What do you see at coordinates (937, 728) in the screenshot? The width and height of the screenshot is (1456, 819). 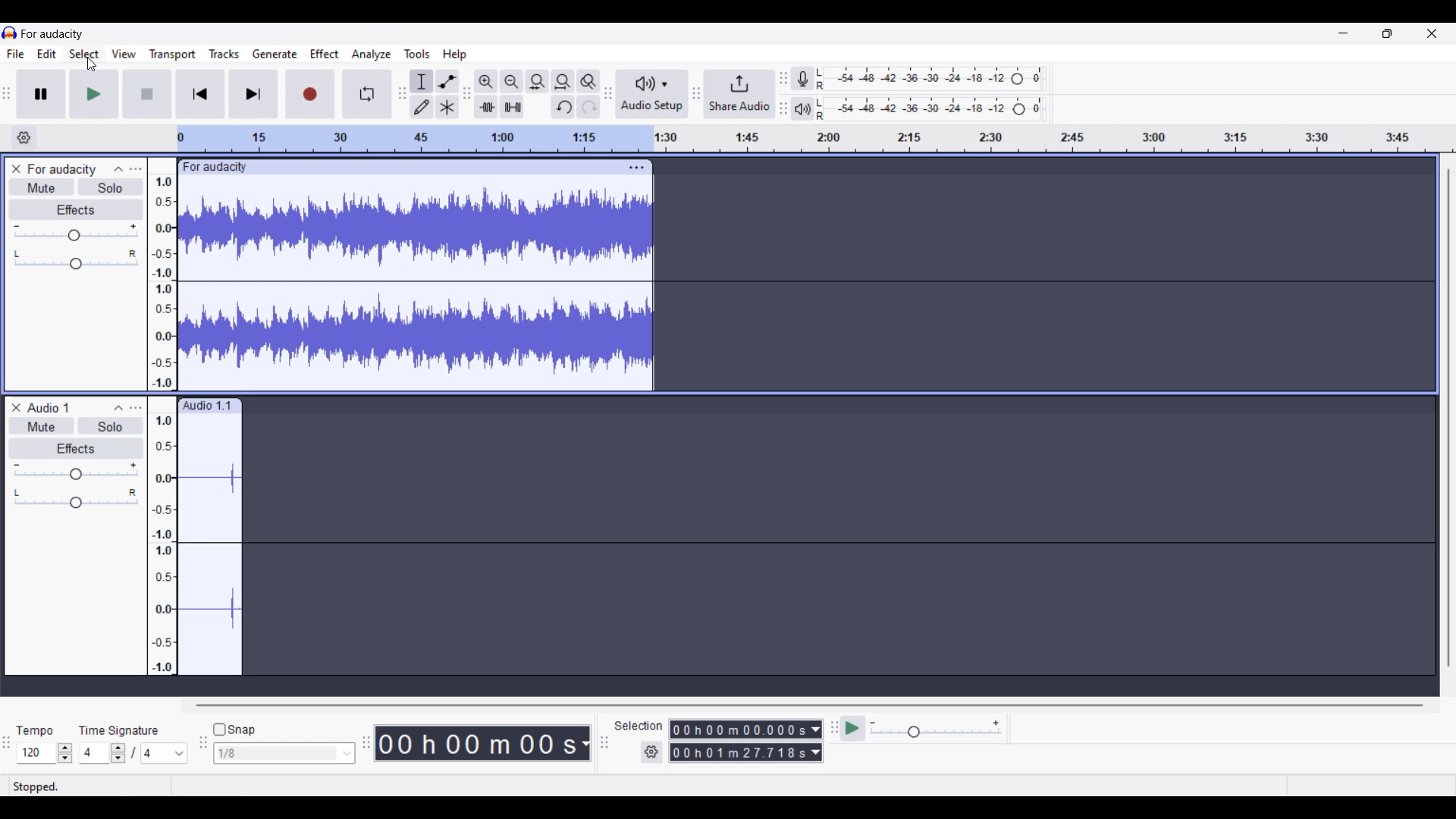 I see `Playback speed settings` at bounding box center [937, 728].